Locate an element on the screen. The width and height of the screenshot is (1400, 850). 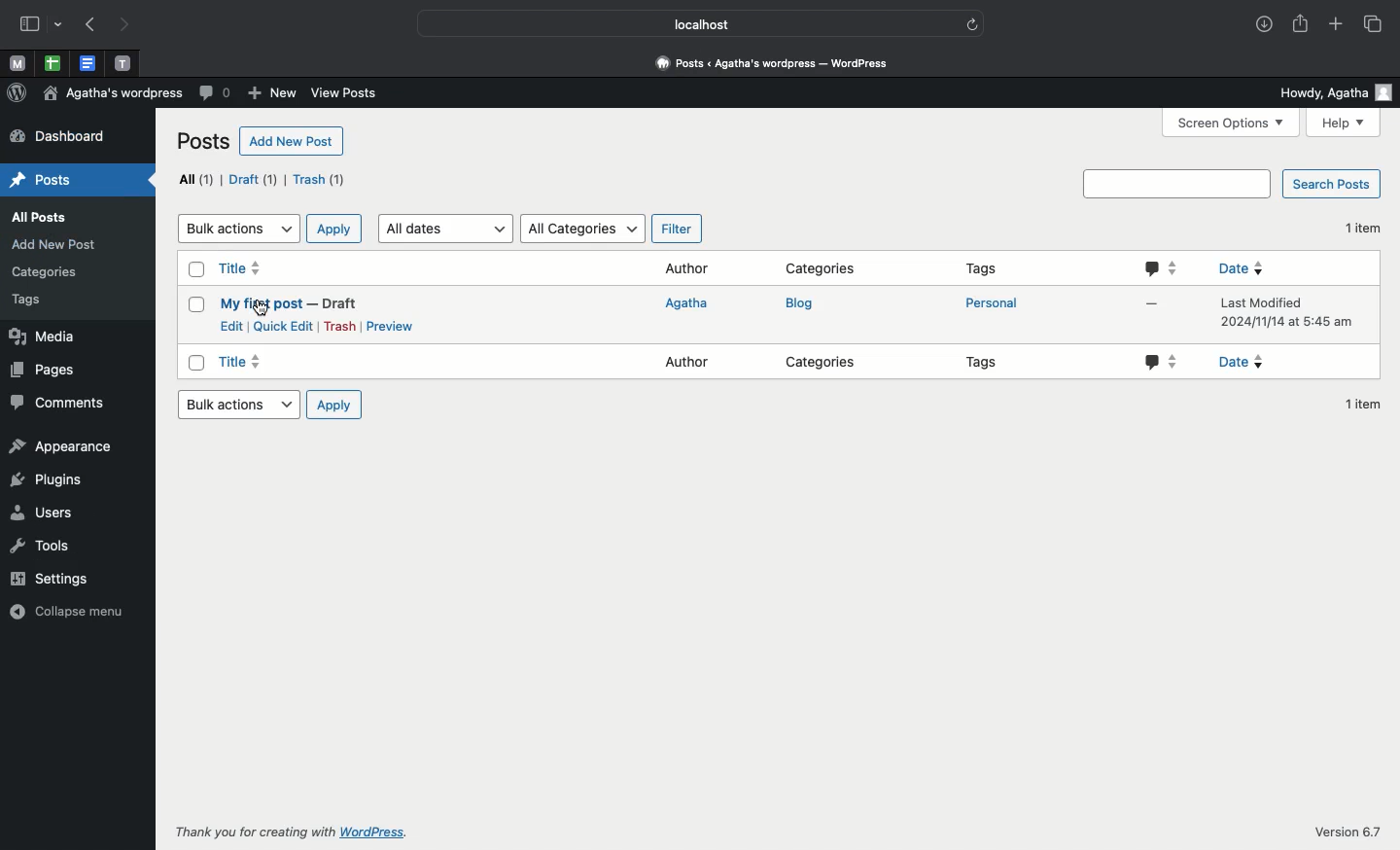
Add new tab is located at coordinates (1337, 25).